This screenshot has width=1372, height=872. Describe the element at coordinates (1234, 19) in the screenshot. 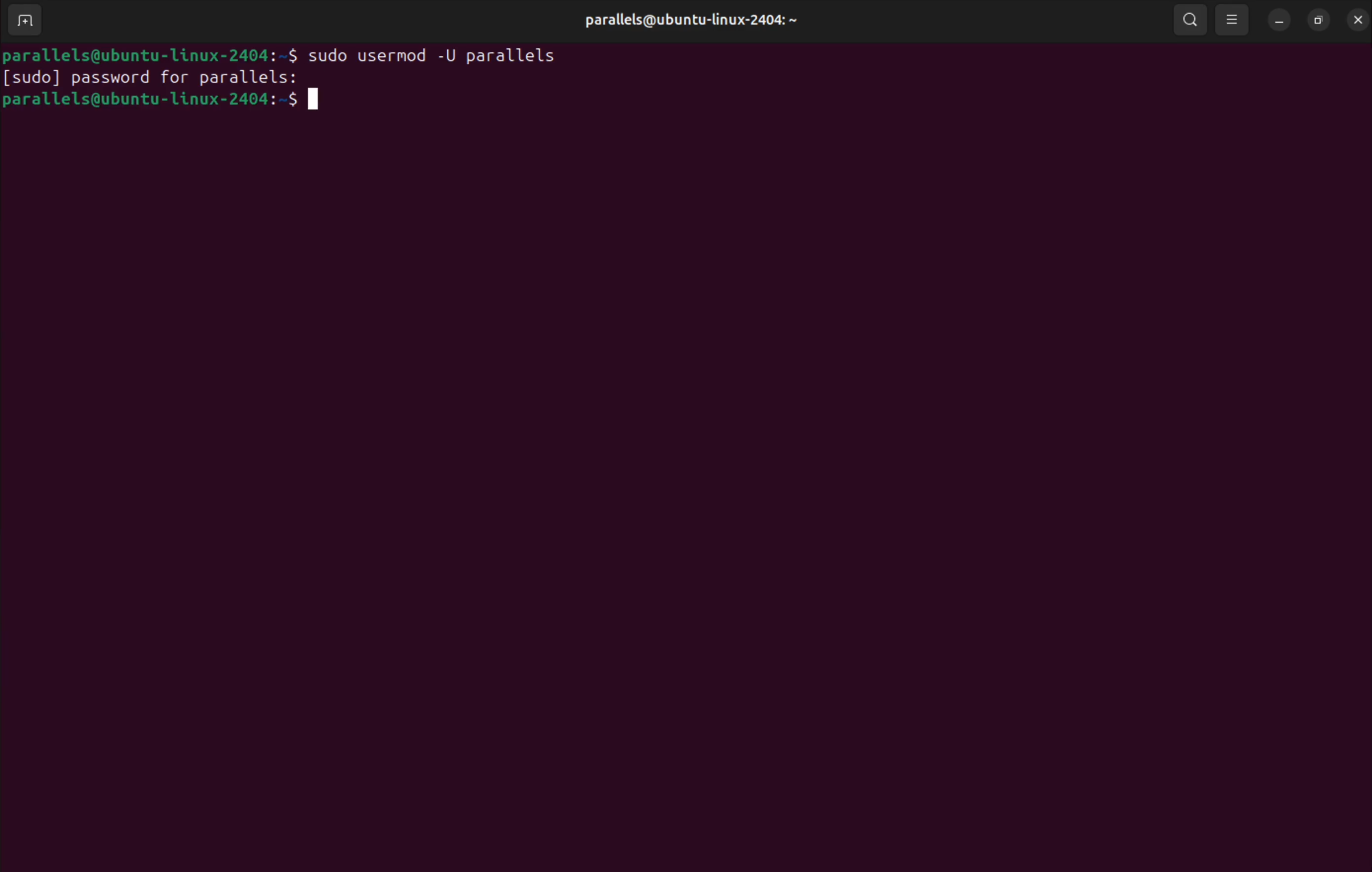

I see `view options` at that location.